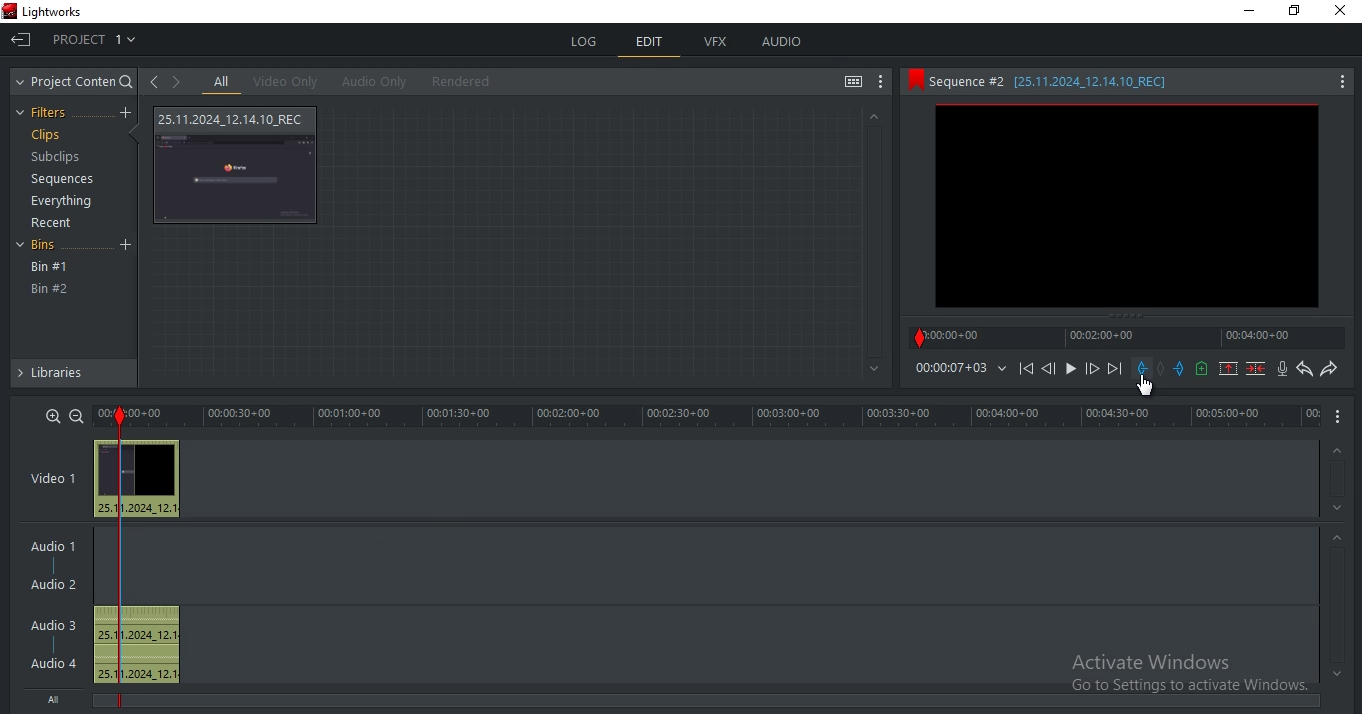 The width and height of the screenshot is (1362, 714). I want to click on Forward, so click(1093, 369).